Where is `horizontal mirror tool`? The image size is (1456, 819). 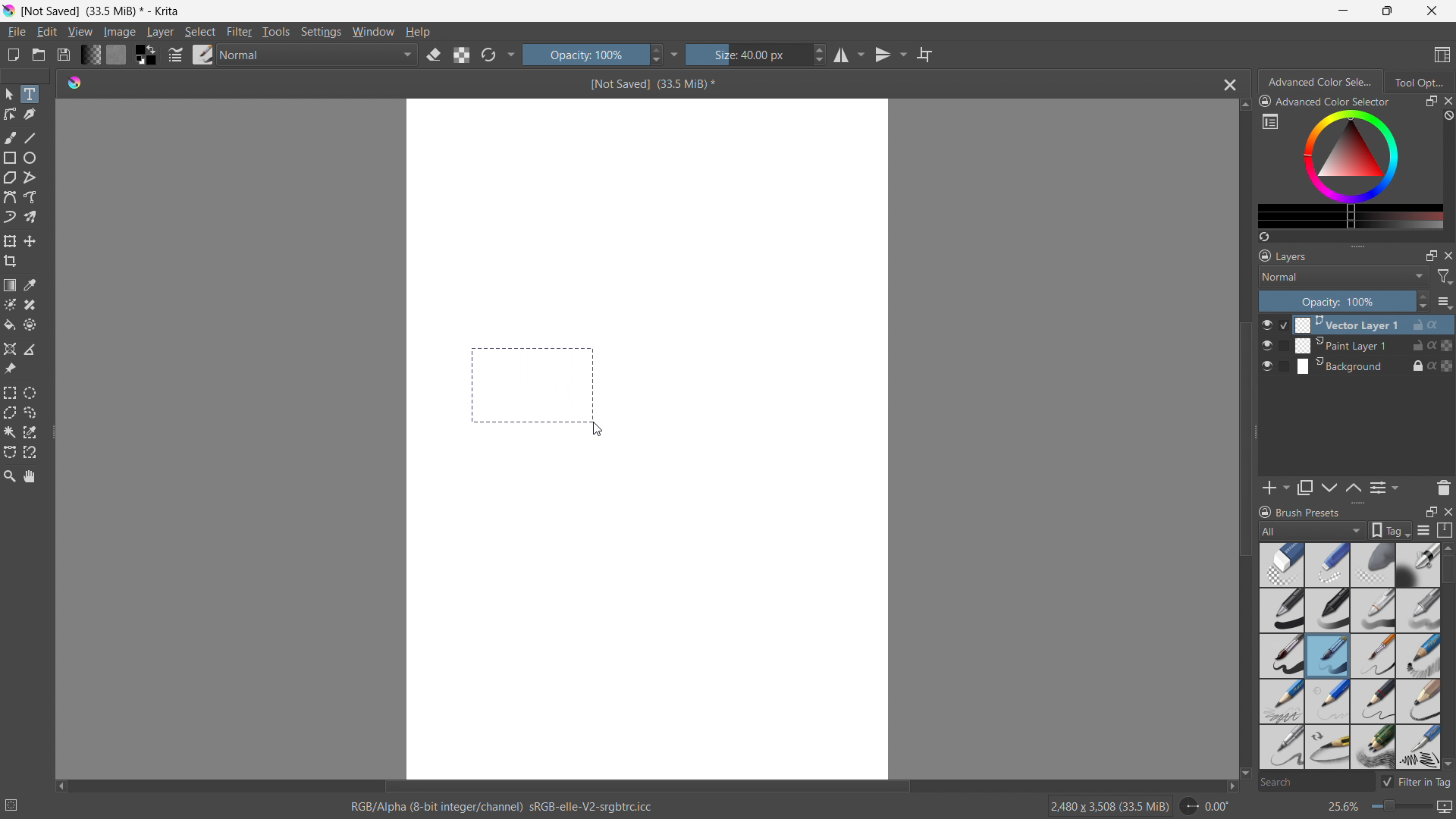 horizontal mirror tool is located at coordinates (848, 55).